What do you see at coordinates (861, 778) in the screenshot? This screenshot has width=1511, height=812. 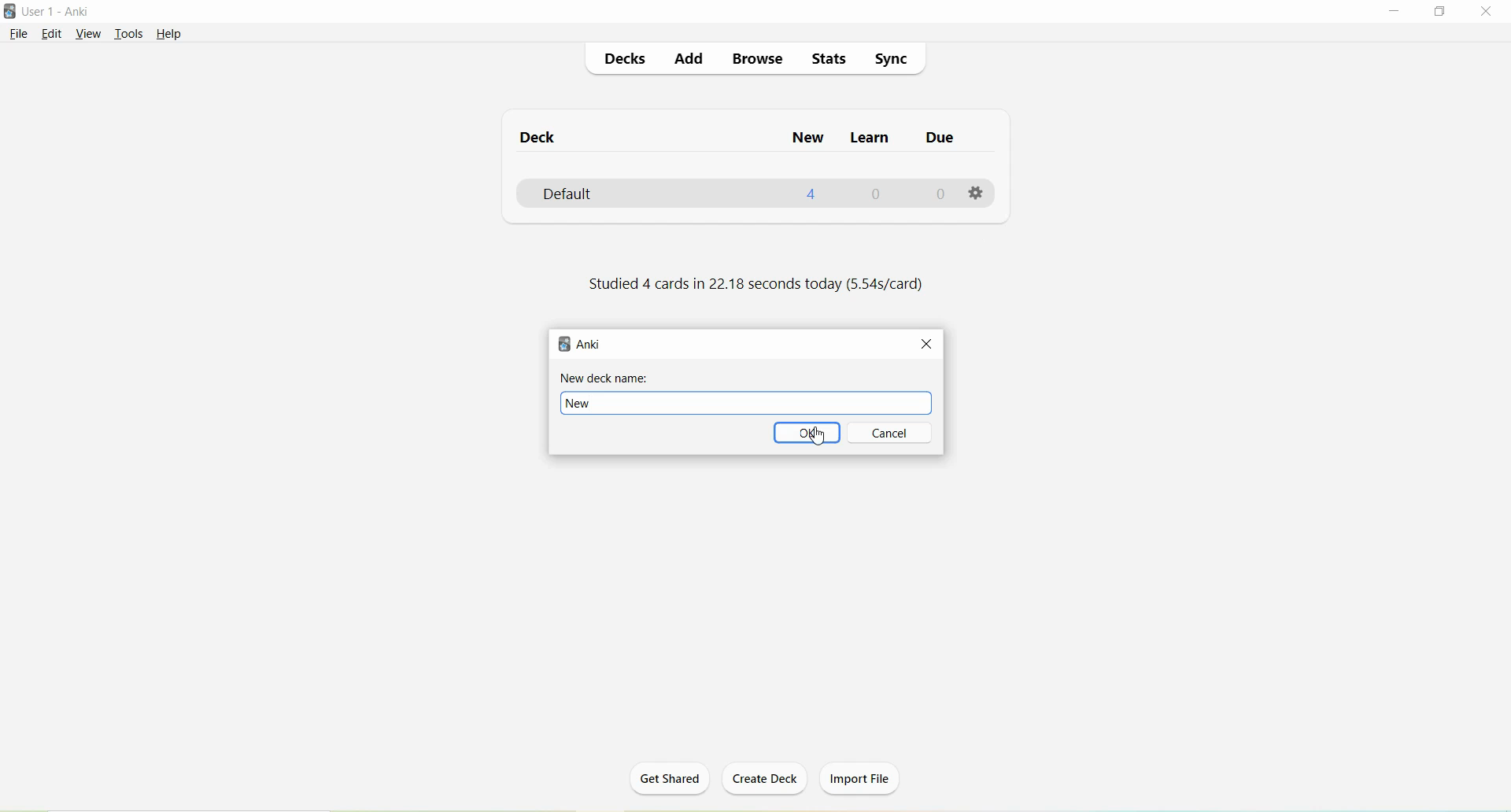 I see `Import File` at bounding box center [861, 778].